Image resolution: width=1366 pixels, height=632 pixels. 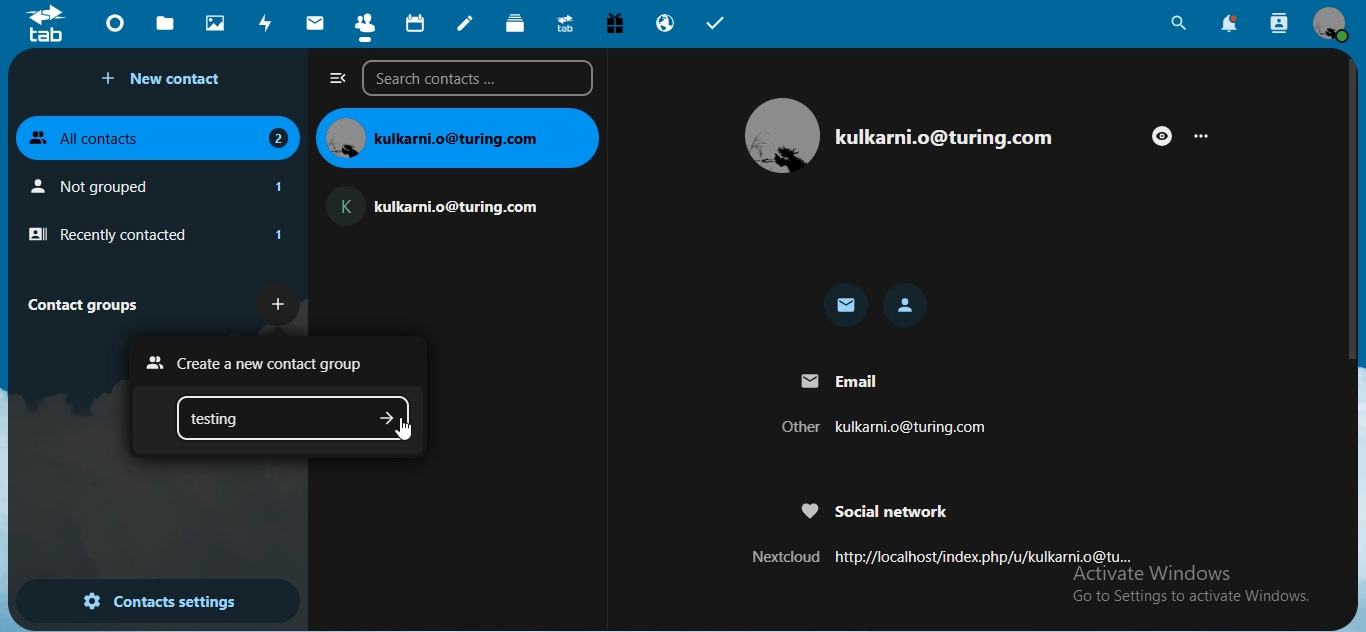 What do you see at coordinates (907, 305) in the screenshot?
I see `contact` at bounding box center [907, 305].